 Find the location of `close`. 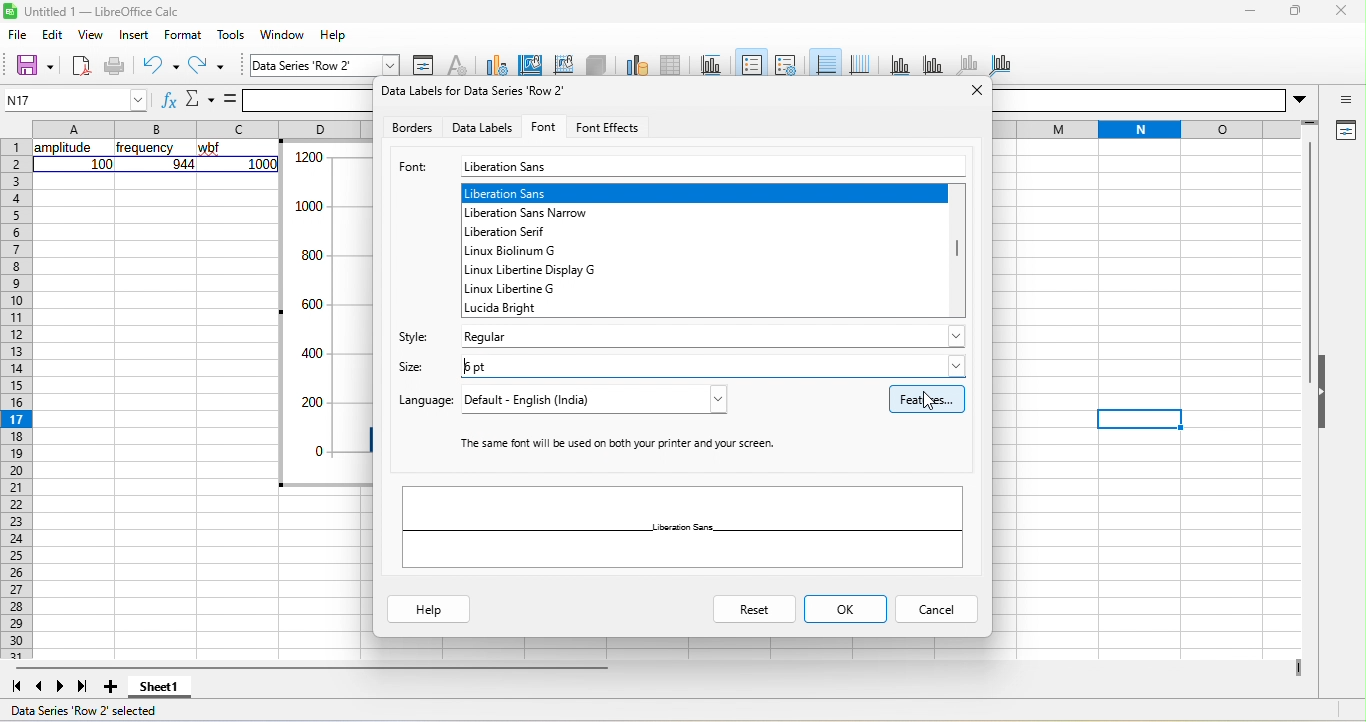

close is located at coordinates (976, 96).